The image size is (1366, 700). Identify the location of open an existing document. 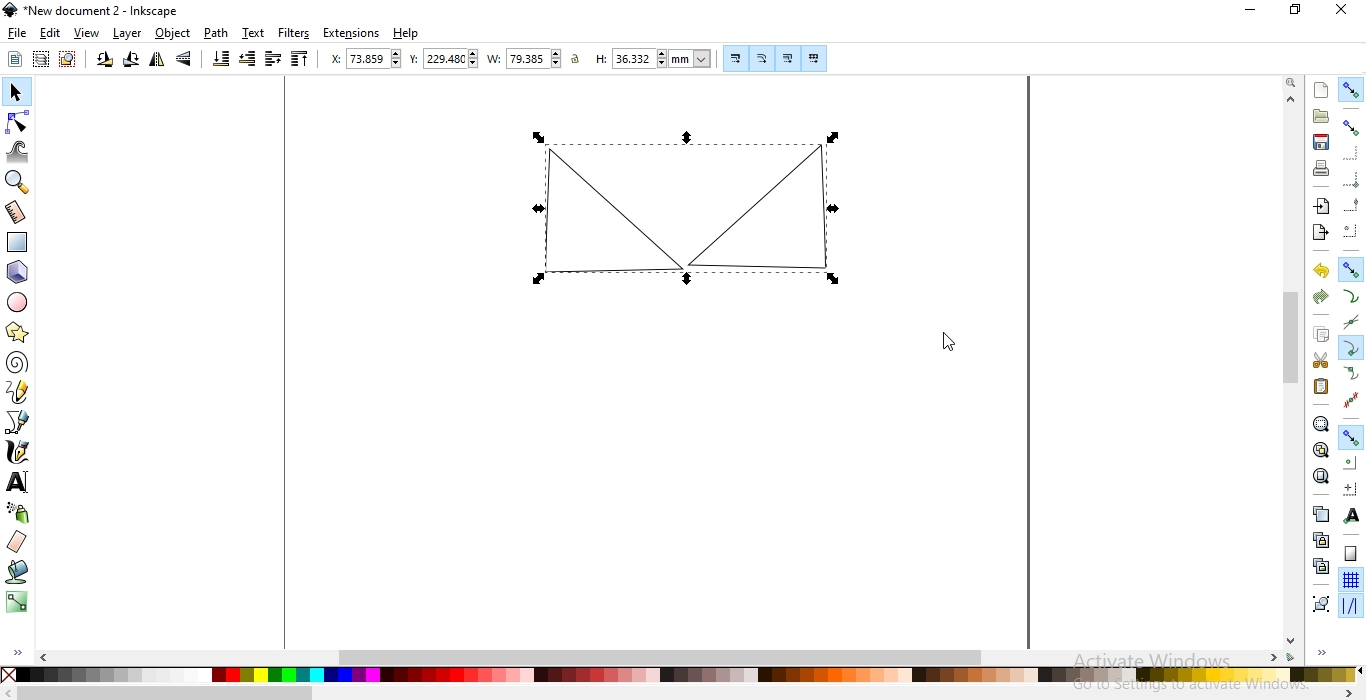
(1321, 117).